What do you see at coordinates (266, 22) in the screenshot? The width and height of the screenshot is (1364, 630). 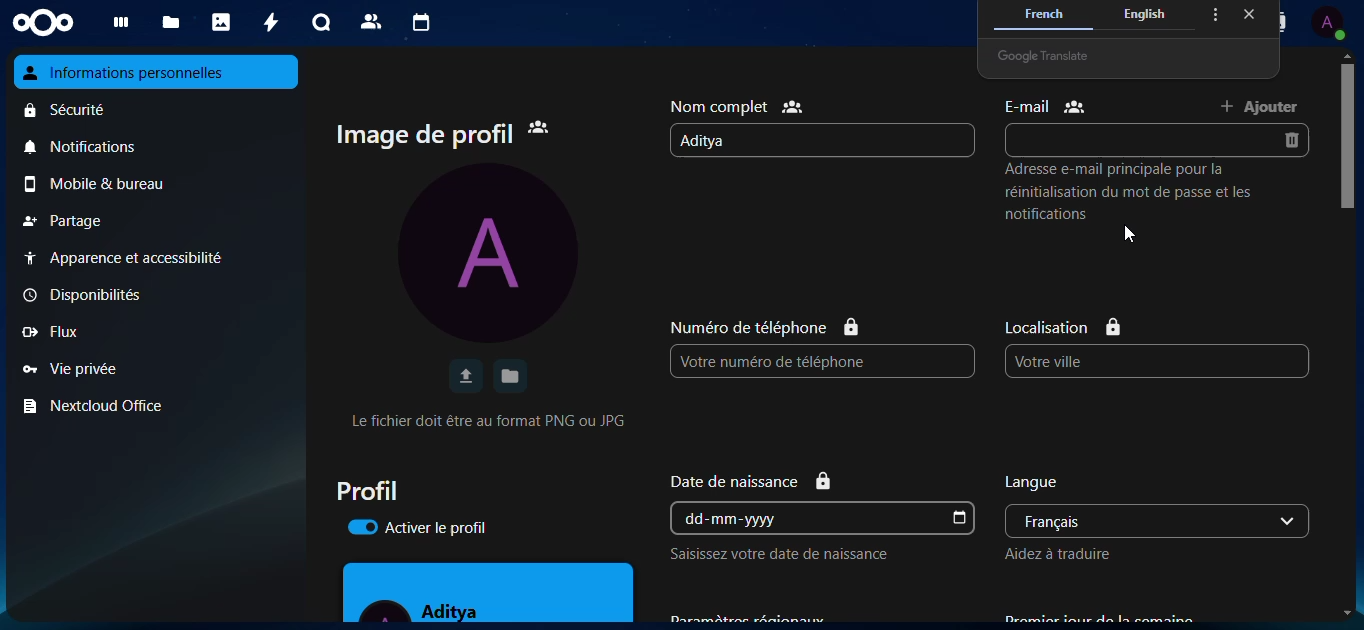 I see `activity` at bounding box center [266, 22].